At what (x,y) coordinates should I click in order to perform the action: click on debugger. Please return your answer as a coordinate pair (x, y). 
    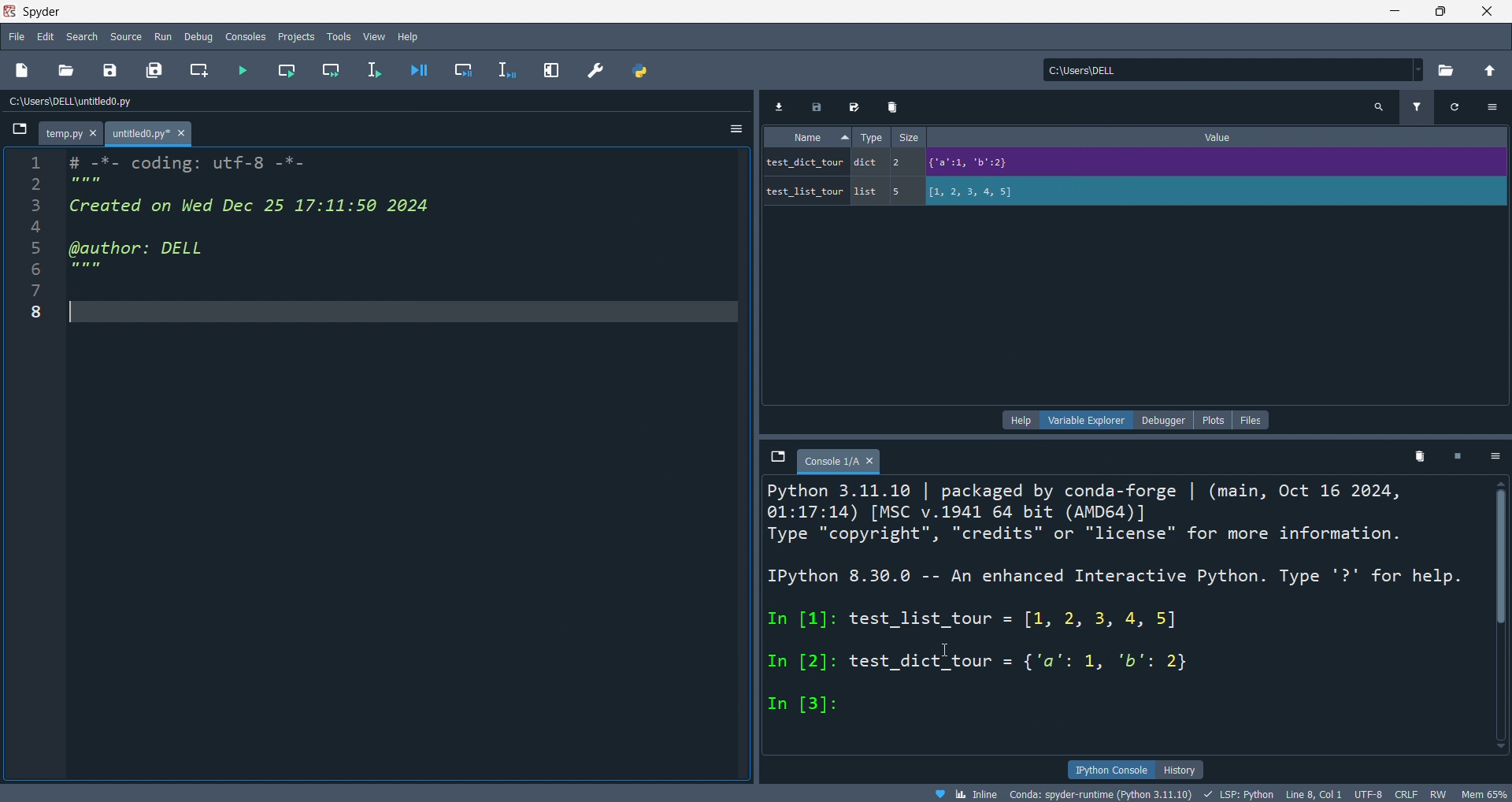
    Looking at the image, I should click on (1169, 419).